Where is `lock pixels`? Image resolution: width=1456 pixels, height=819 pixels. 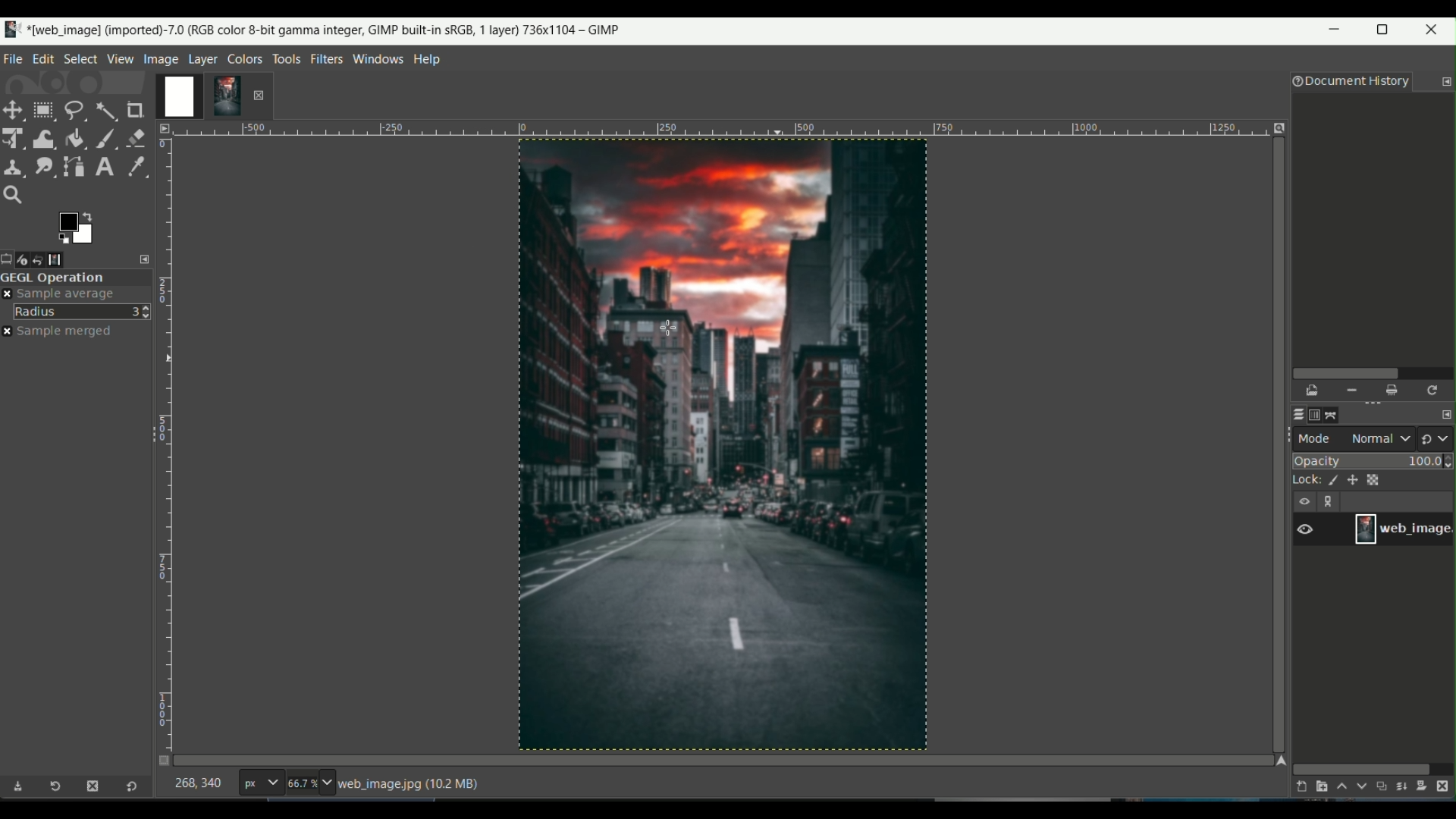 lock pixels is located at coordinates (1329, 482).